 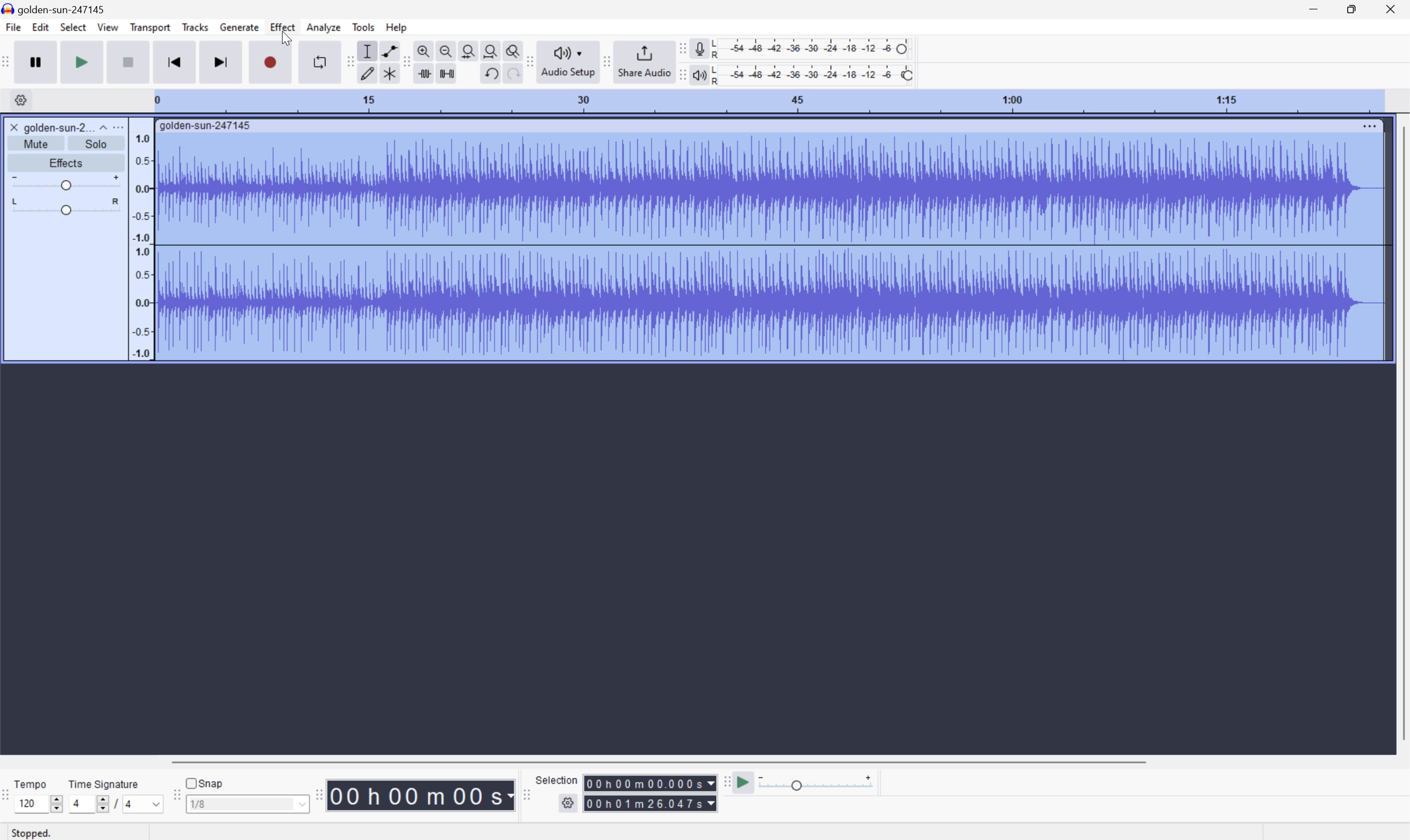 I want to click on Enable looping, so click(x=319, y=61).